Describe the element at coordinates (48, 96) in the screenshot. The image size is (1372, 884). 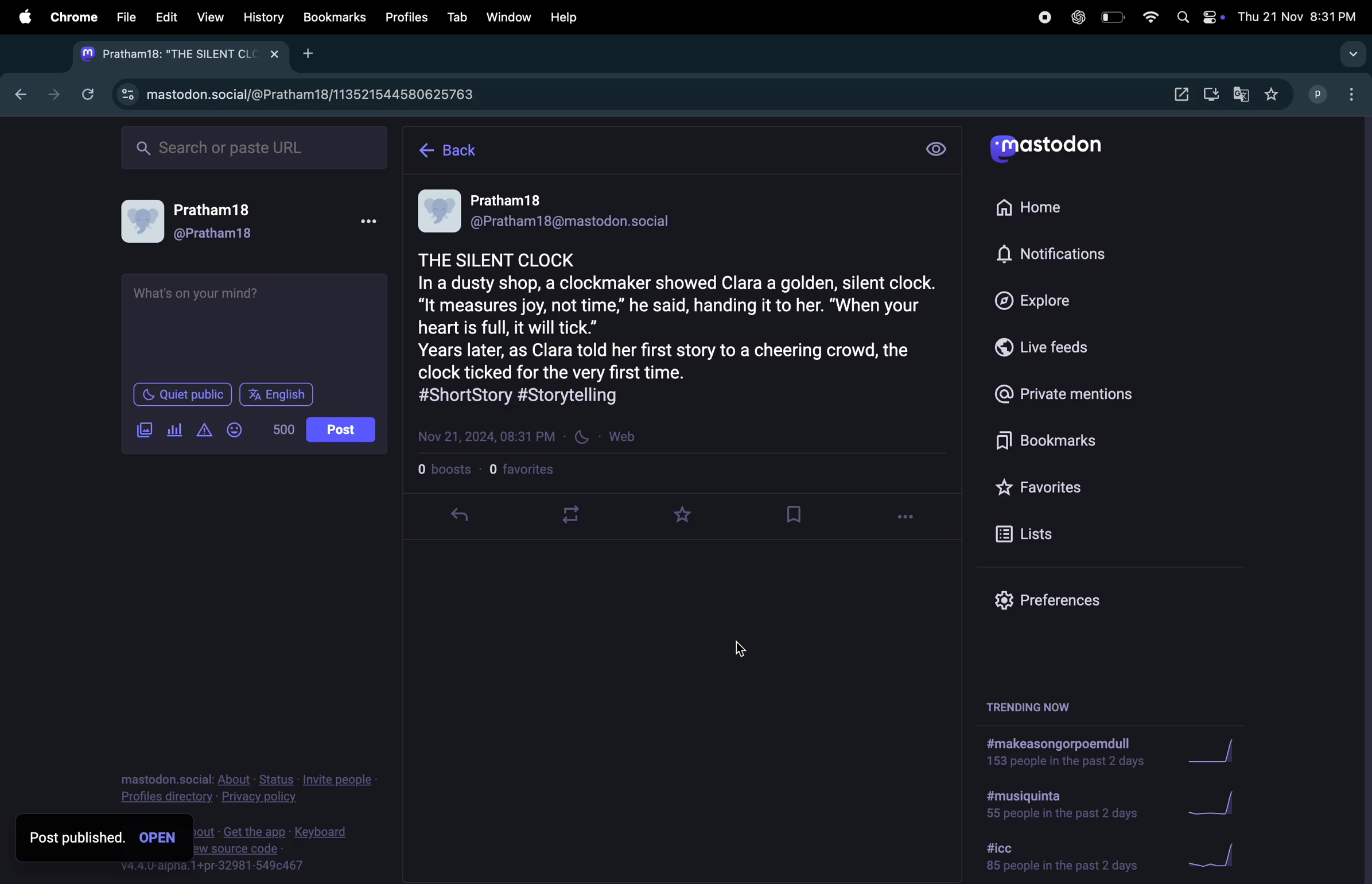
I see `forward` at that location.